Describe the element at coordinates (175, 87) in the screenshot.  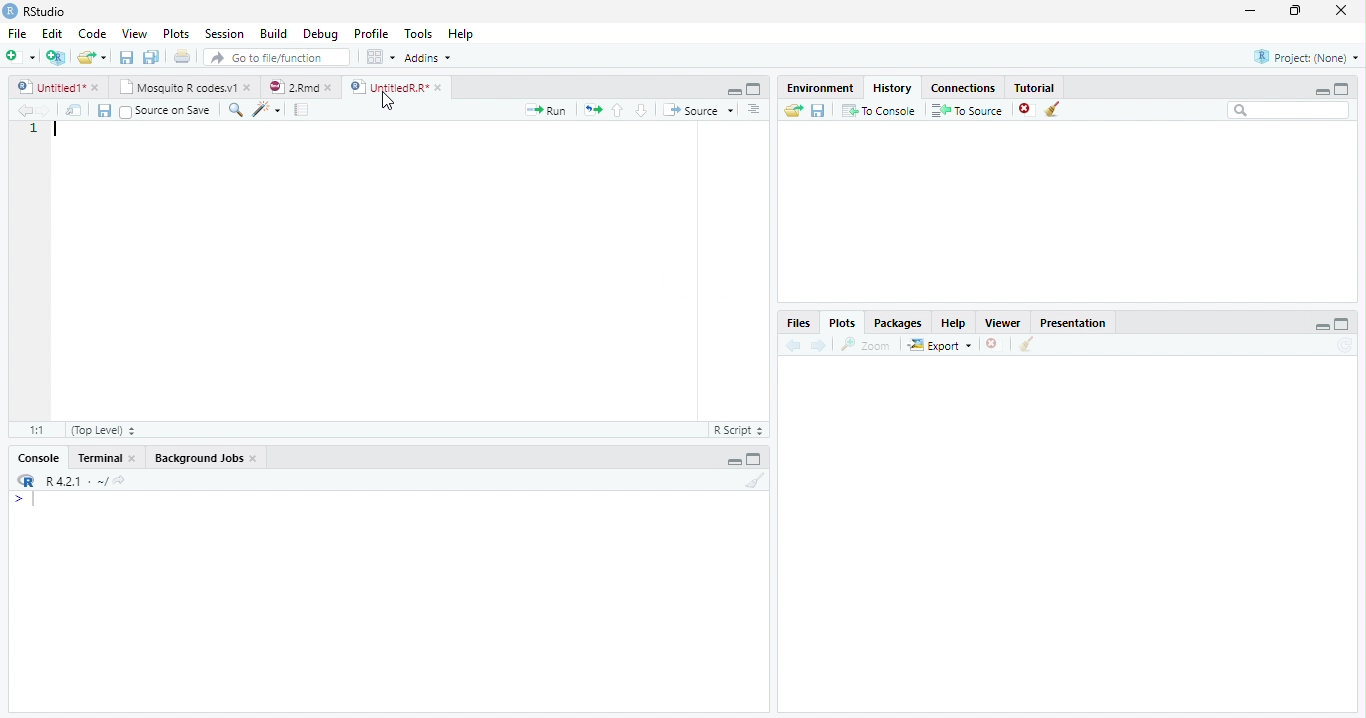
I see `Mosquito R codes.v1` at that location.